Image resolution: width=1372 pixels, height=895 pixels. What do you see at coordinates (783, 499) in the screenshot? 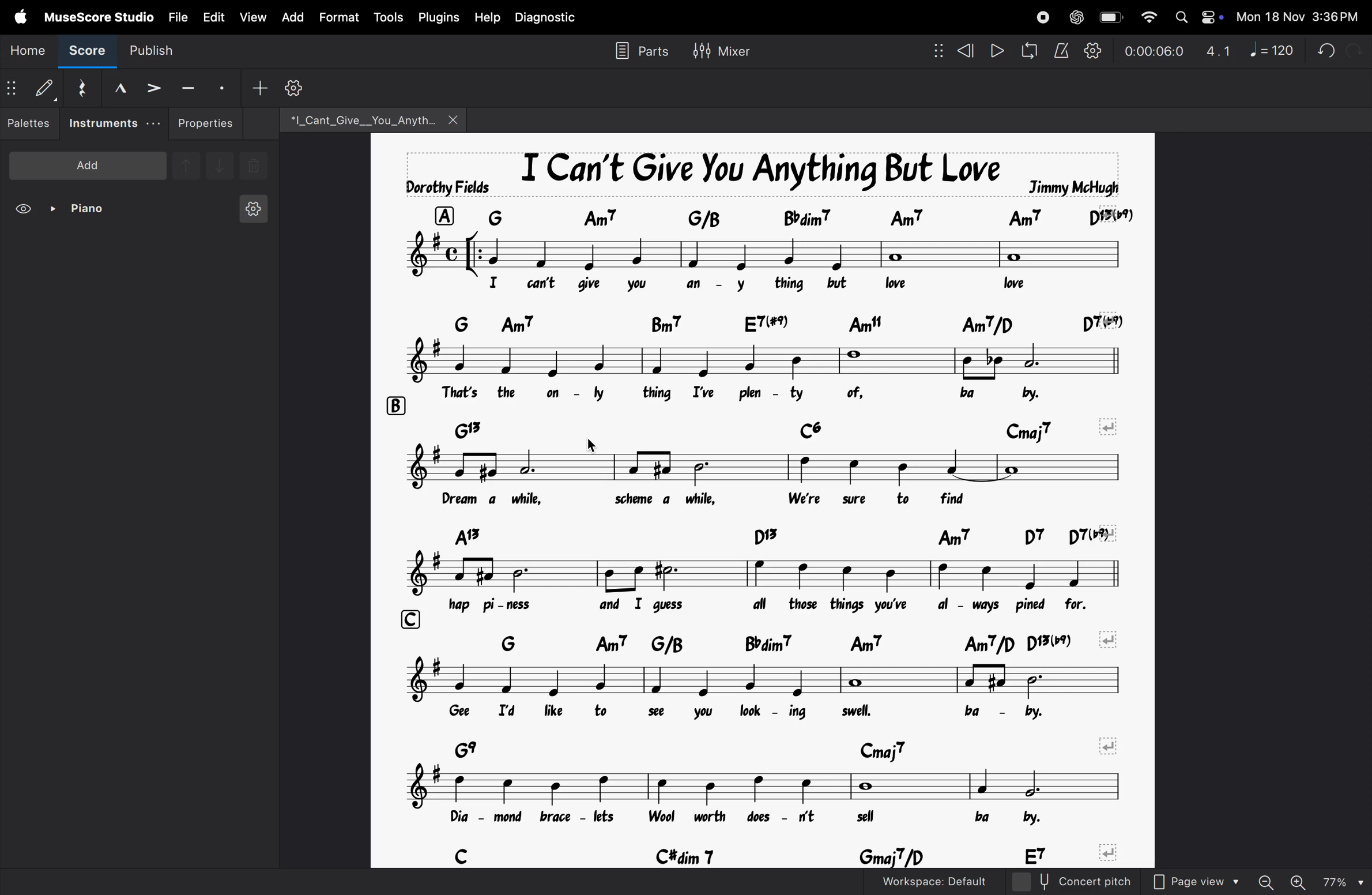
I see `lyrics` at bounding box center [783, 499].